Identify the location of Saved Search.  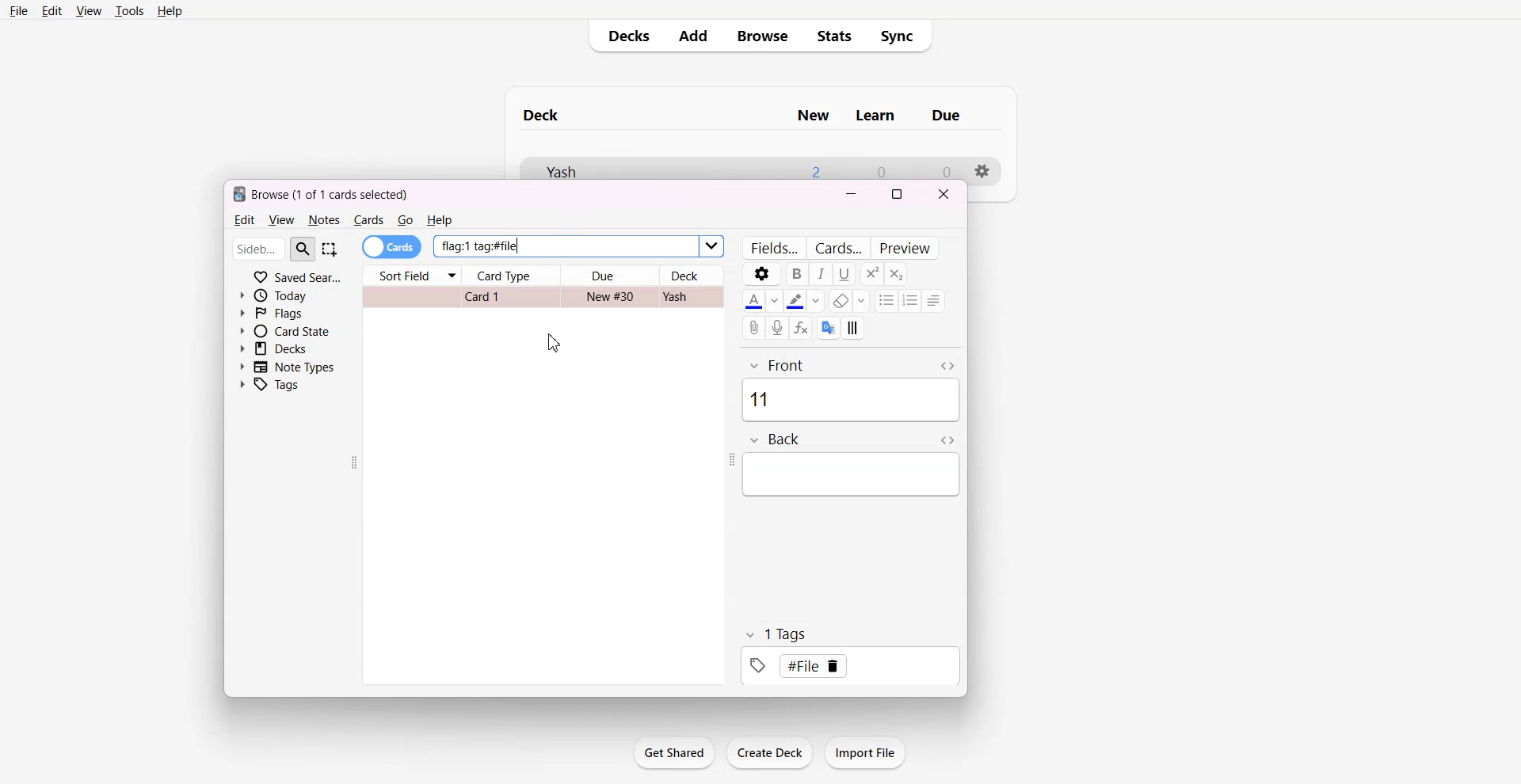
(298, 276).